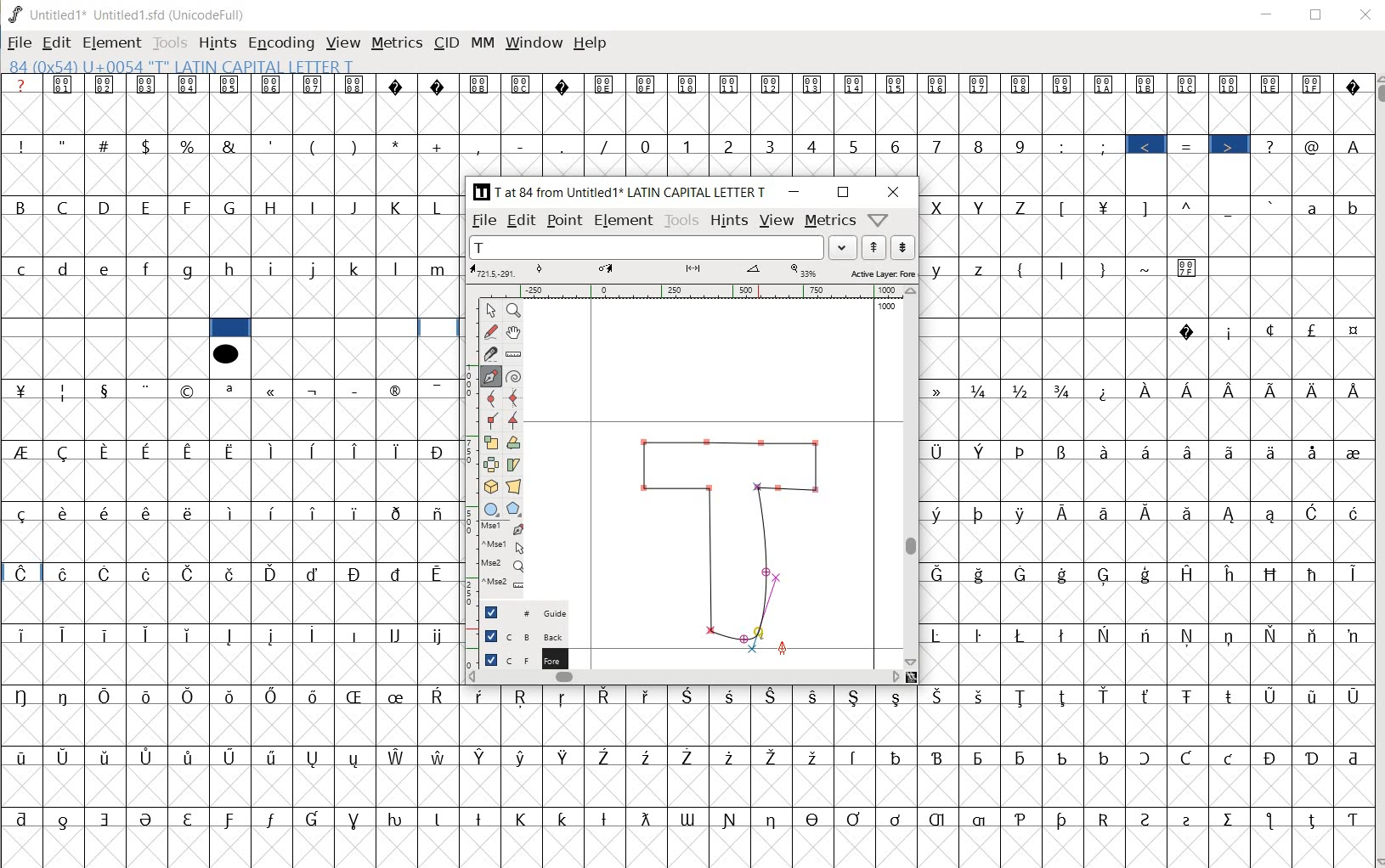 The image size is (1385, 868). What do you see at coordinates (107, 575) in the screenshot?
I see `Symbol` at bounding box center [107, 575].